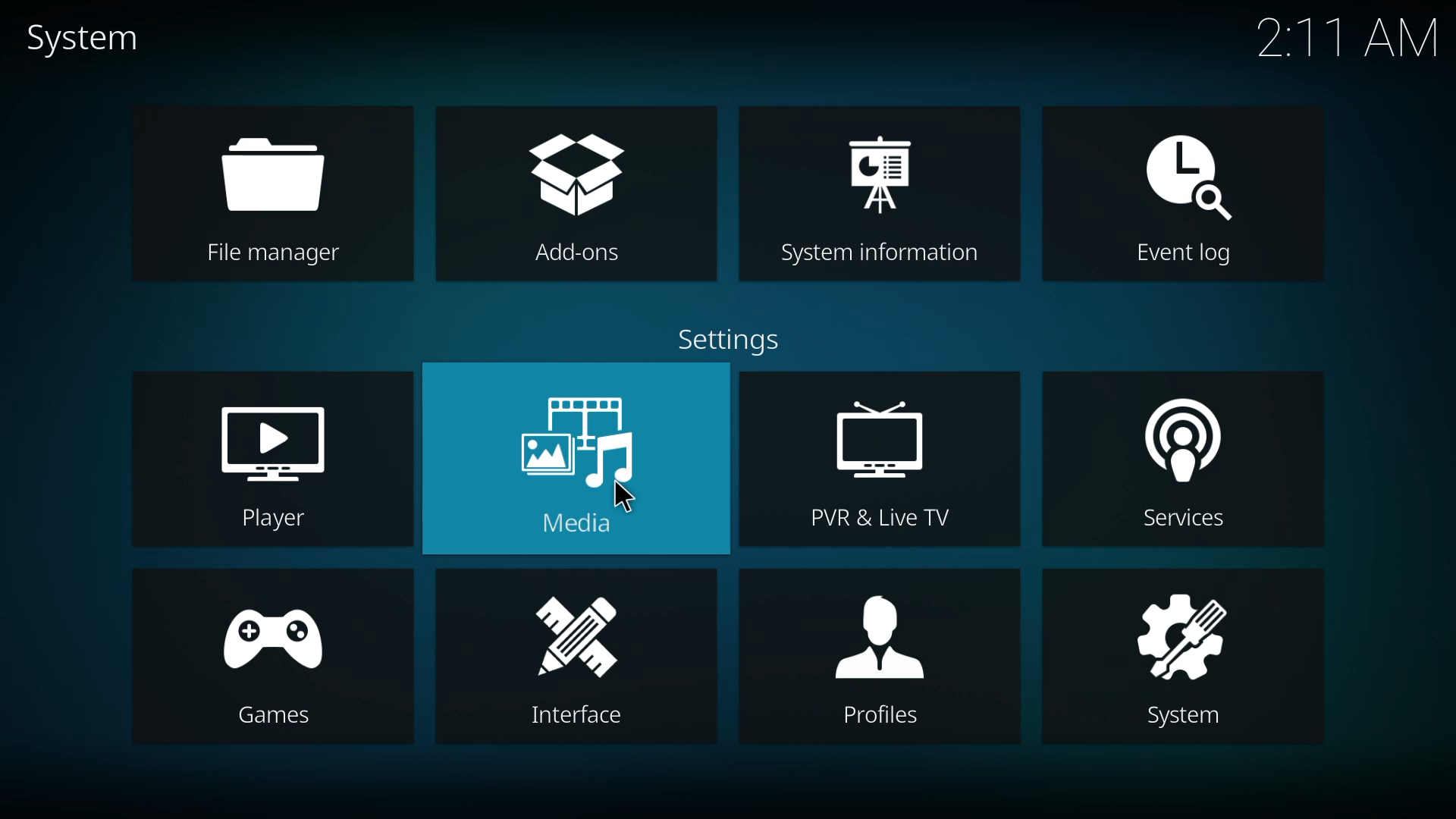 The height and width of the screenshot is (819, 1456). I want to click on interface, so click(574, 655).